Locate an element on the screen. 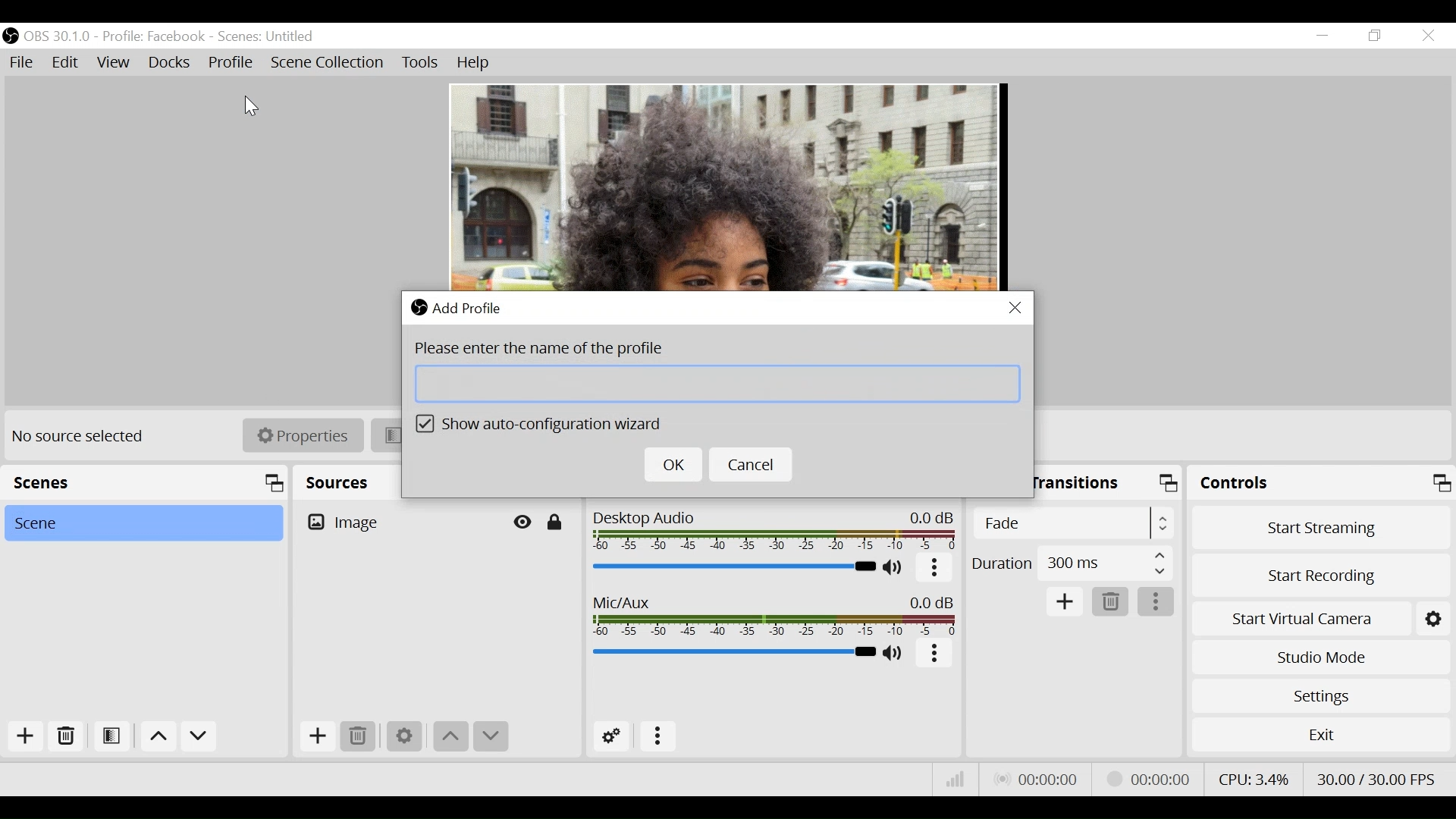  Stream Status is located at coordinates (1150, 778).